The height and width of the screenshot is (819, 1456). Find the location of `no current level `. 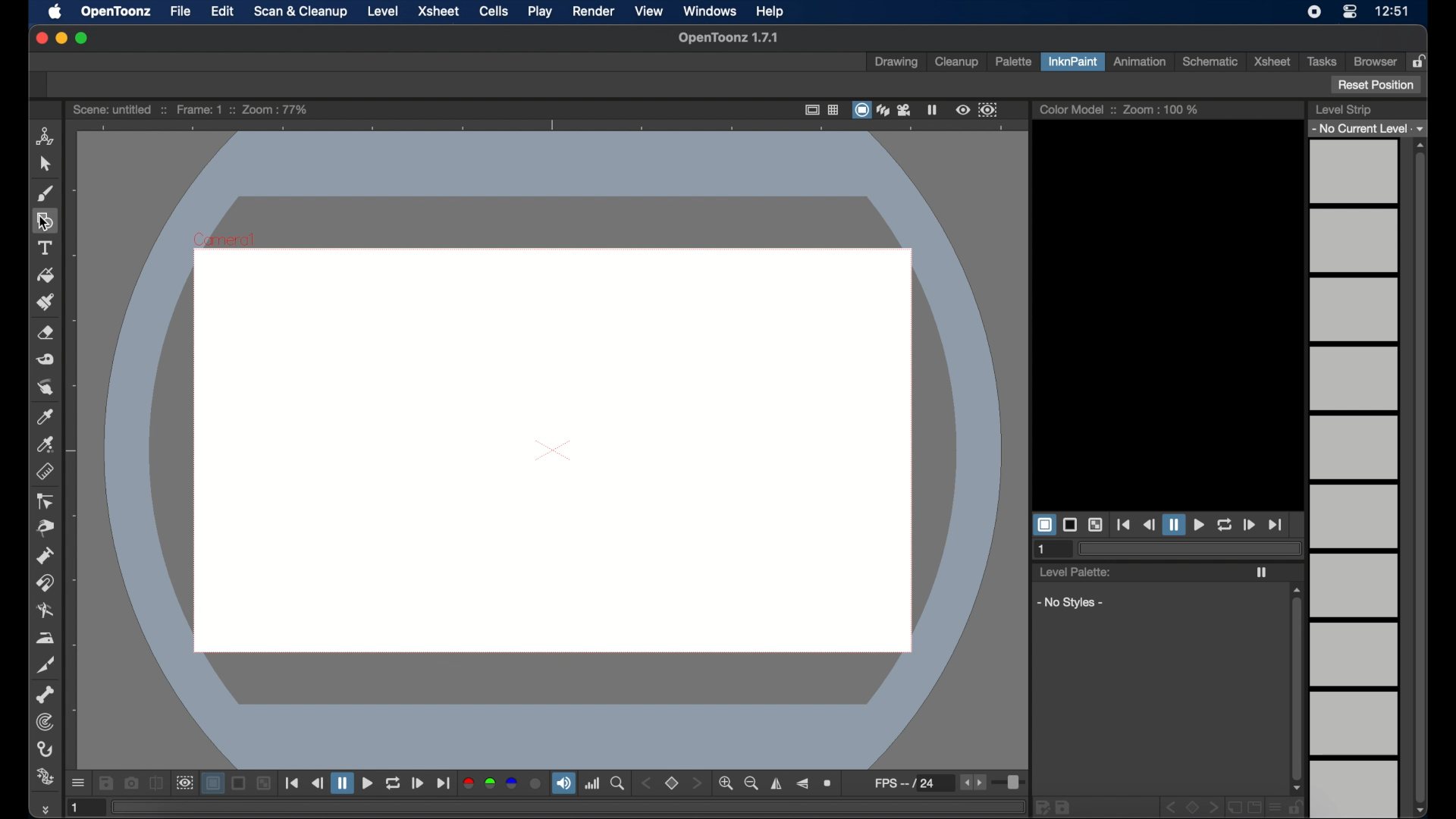

no current level  is located at coordinates (1366, 129).